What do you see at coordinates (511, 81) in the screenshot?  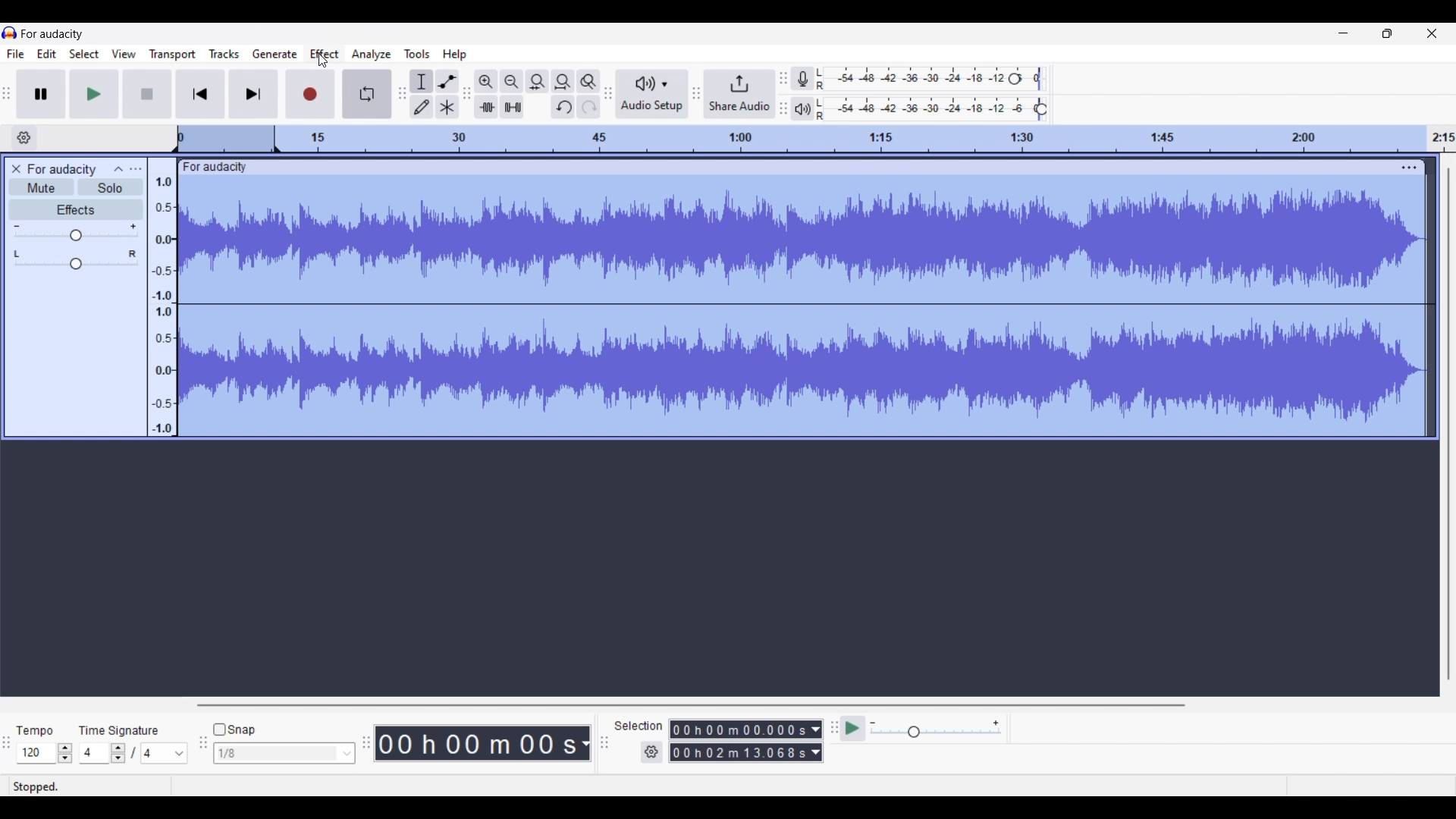 I see `Zoom out` at bounding box center [511, 81].